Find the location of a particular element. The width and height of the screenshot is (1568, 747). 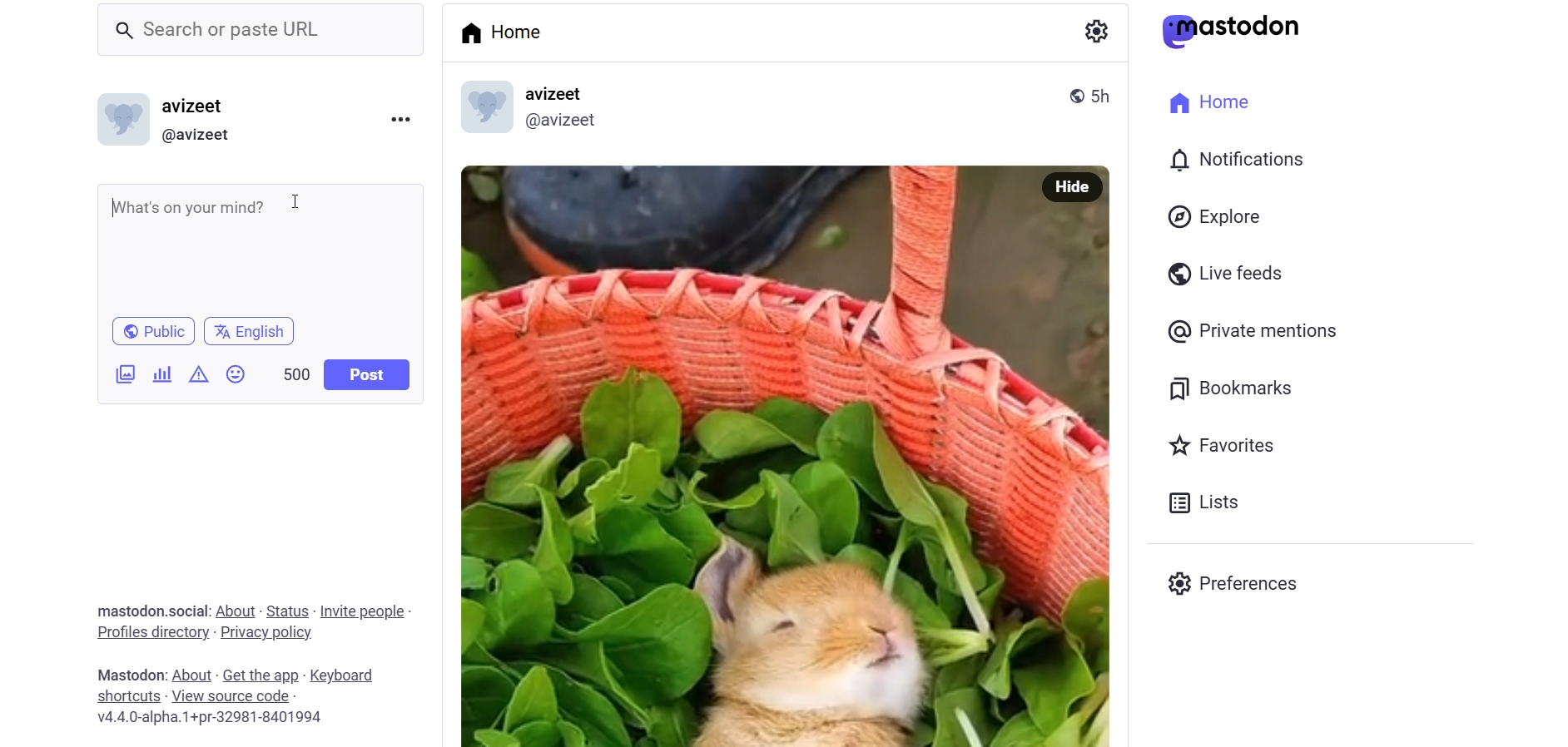

preferences is located at coordinates (1229, 580).